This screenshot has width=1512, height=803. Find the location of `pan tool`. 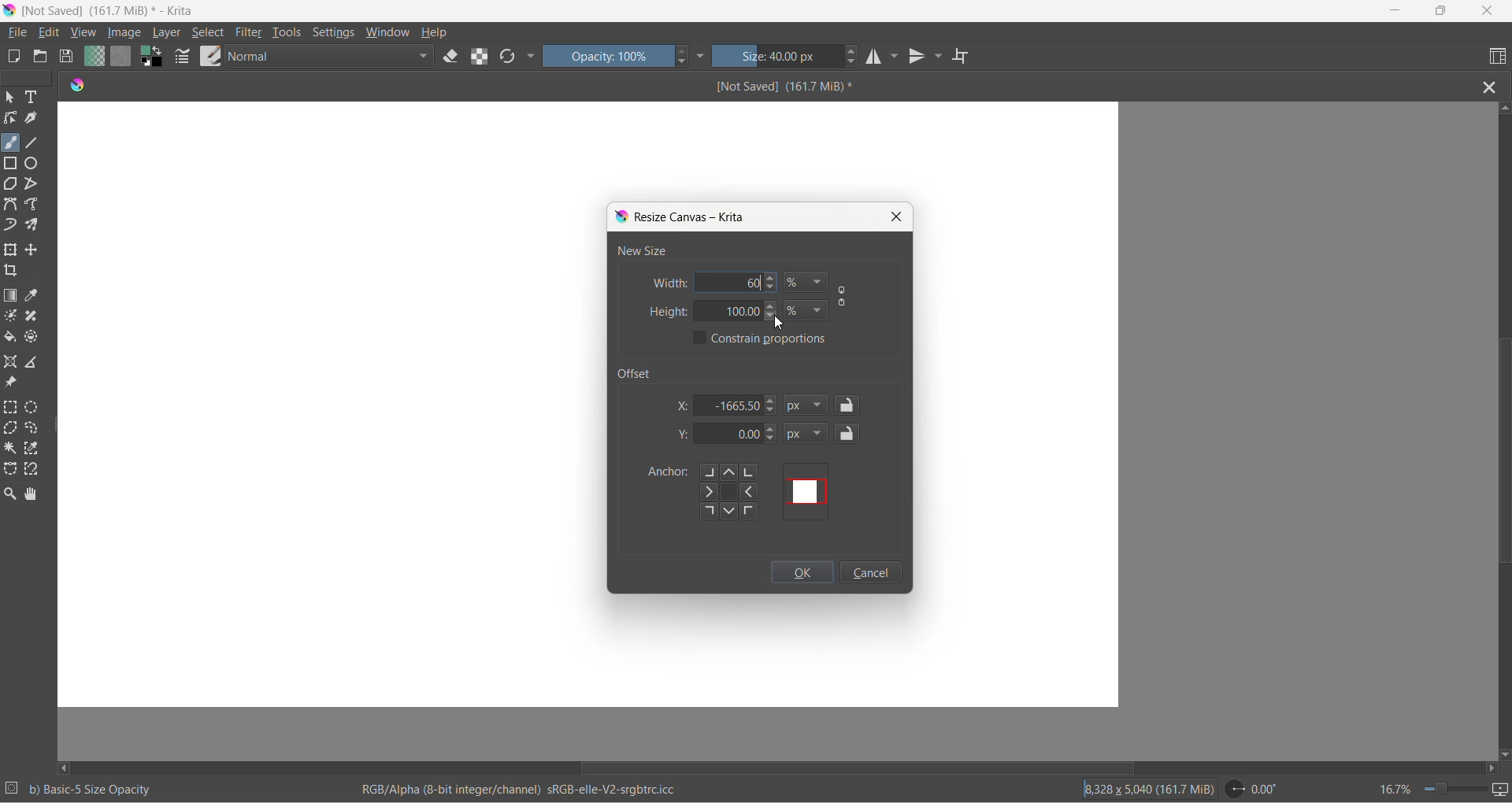

pan tool is located at coordinates (31, 495).